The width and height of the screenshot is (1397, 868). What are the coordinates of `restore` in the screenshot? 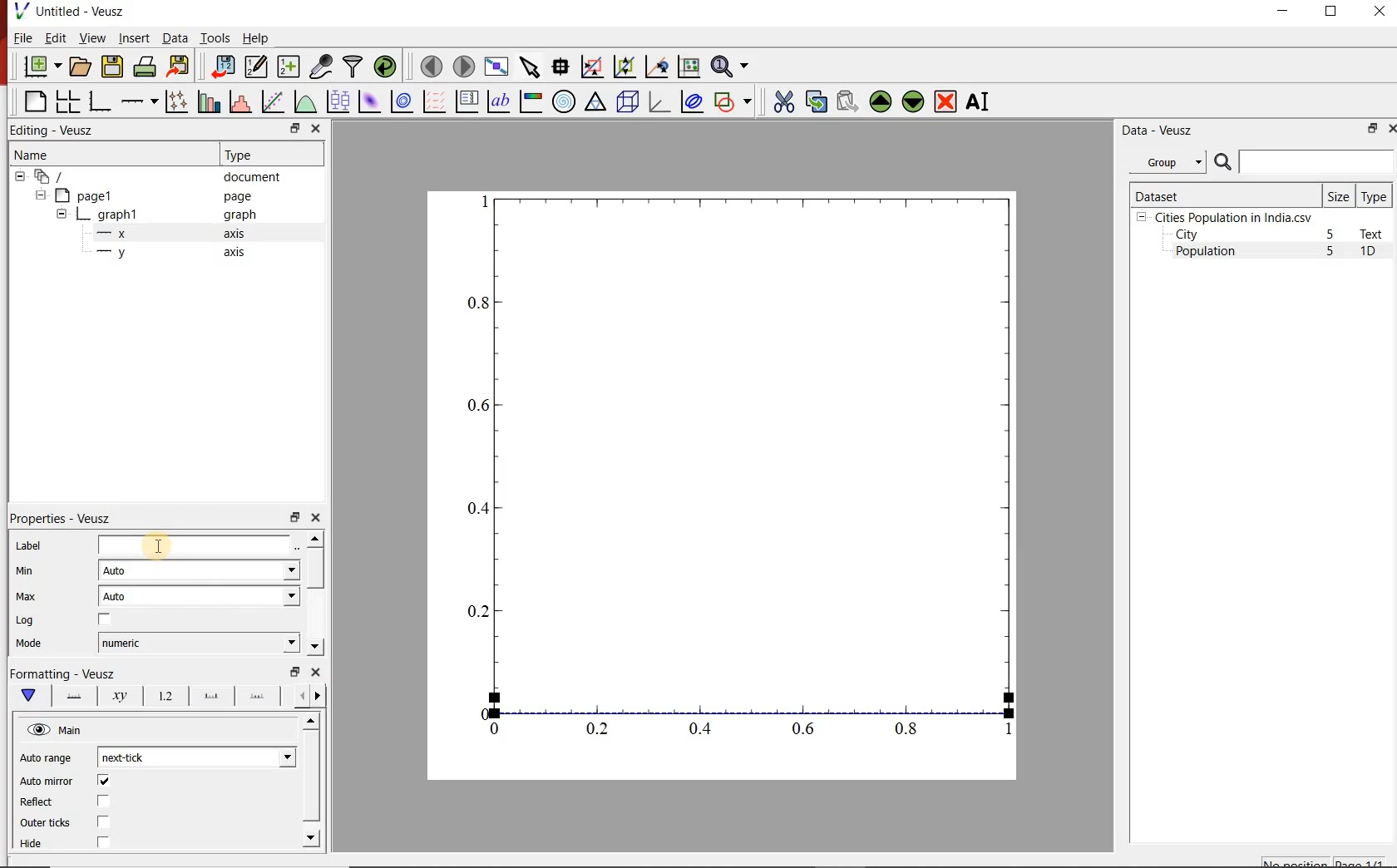 It's located at (1373, 128).